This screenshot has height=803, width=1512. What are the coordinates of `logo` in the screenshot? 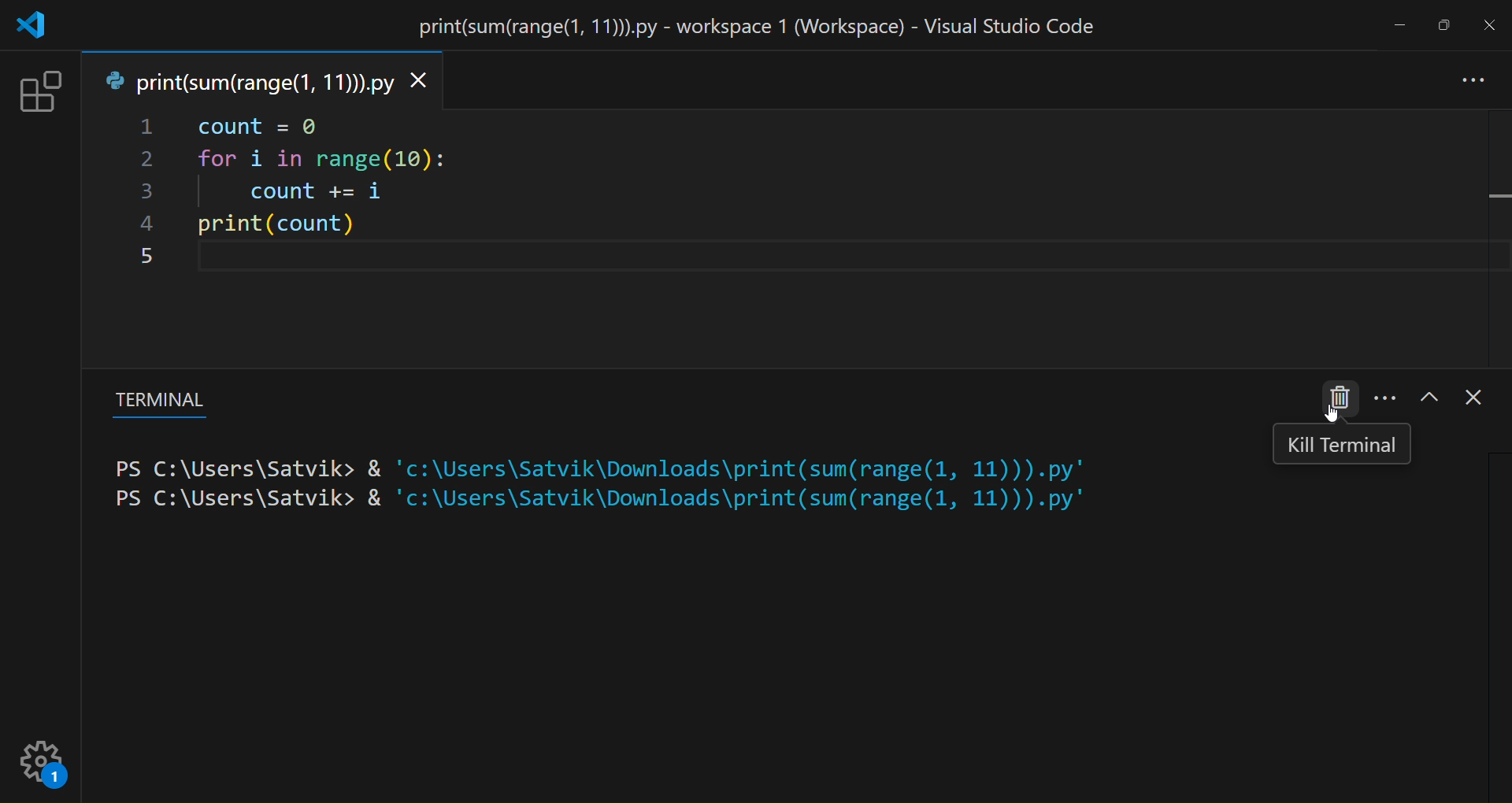 It's located at (33, 26).